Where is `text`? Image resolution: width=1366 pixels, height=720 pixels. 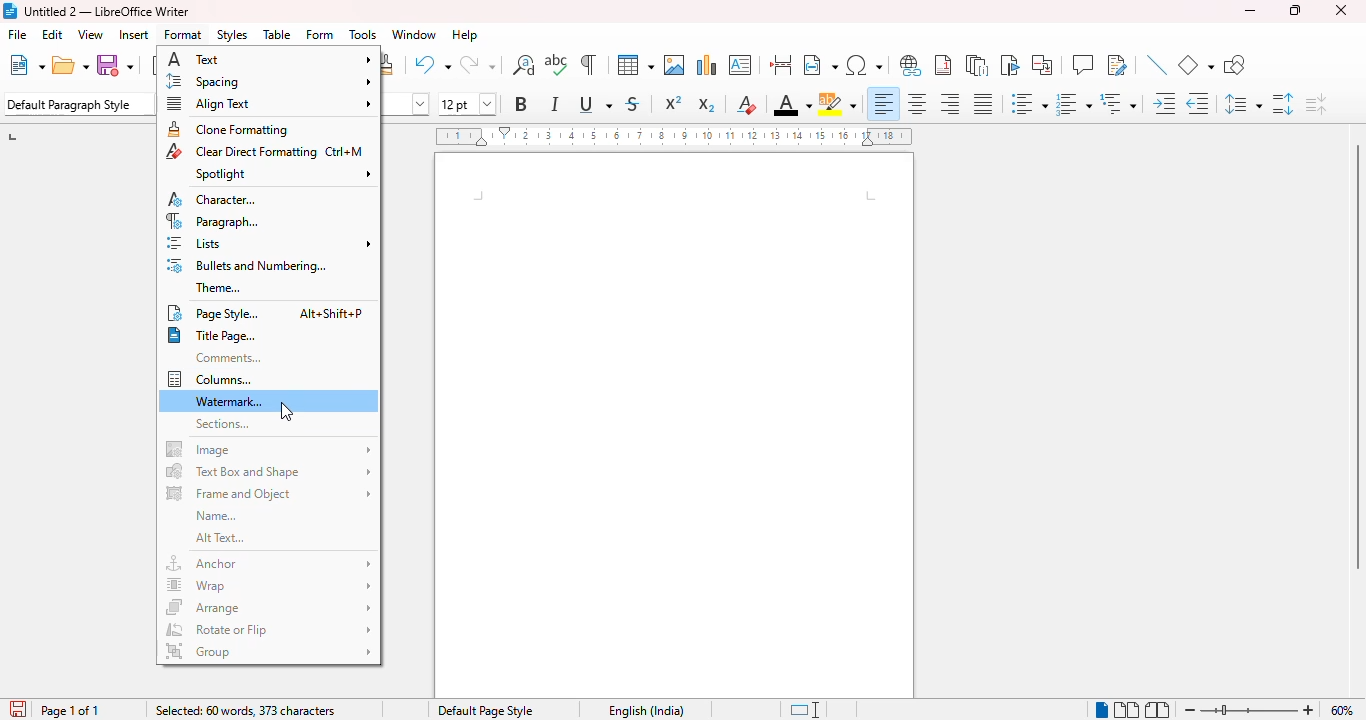
text is located at coordinates (271, 59).